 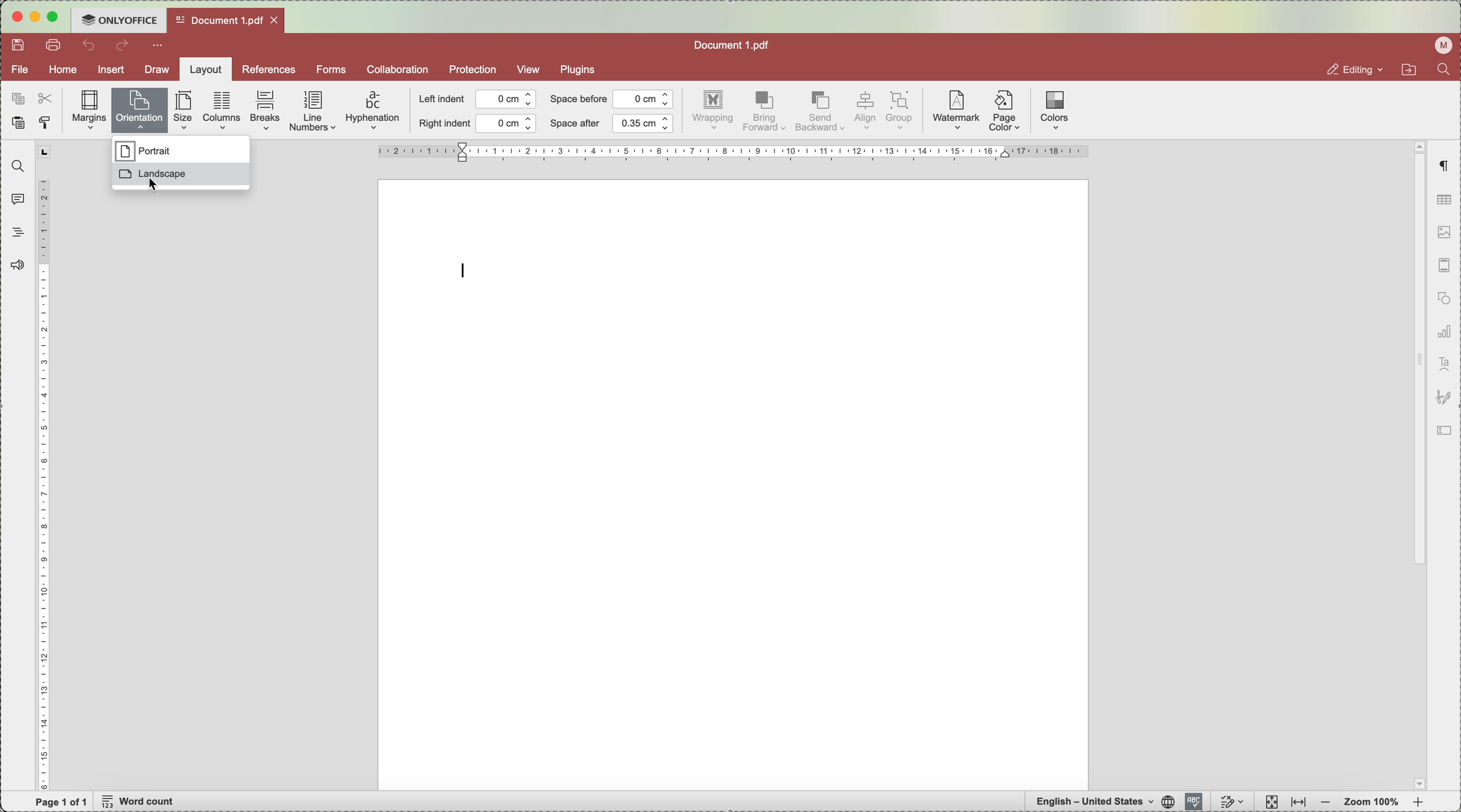 What do you see at coordinates (141, 802) in the screenshot?
I see `word count` at bounding box center [141, 802].